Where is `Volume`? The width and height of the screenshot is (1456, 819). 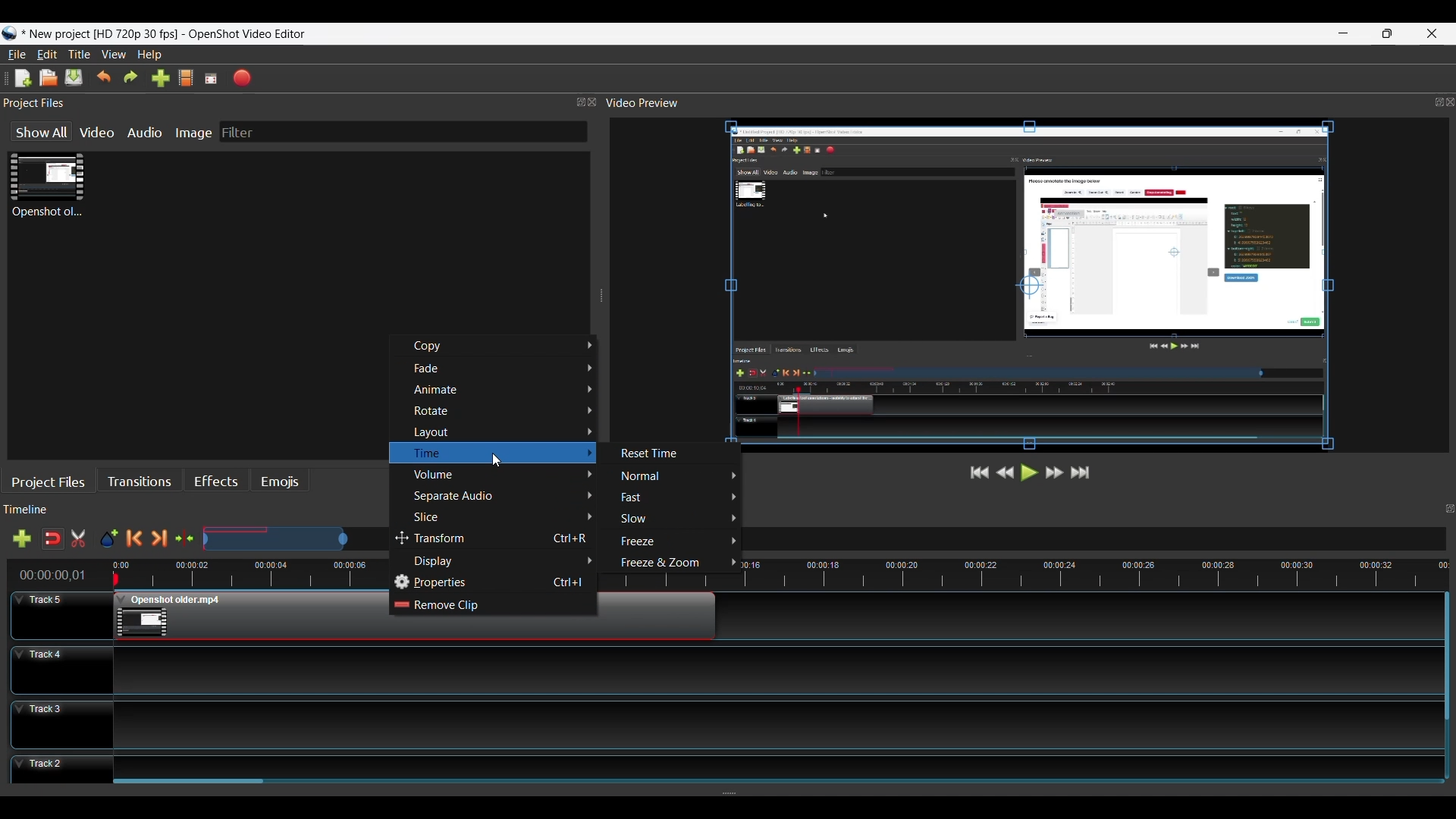
Volume is located at coordinates (501, 475).